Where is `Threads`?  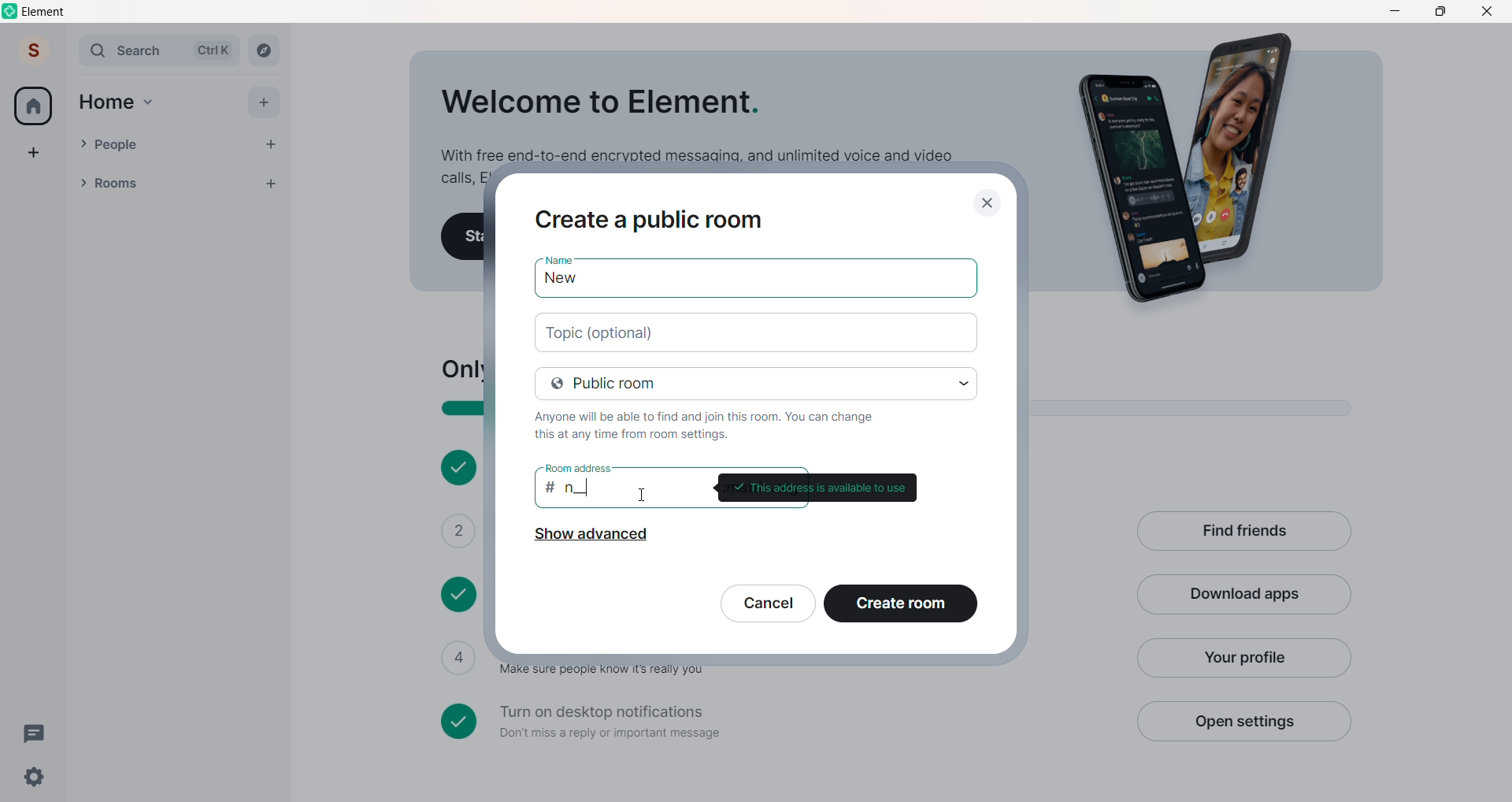
Threads is located at coordinates (37, 734).